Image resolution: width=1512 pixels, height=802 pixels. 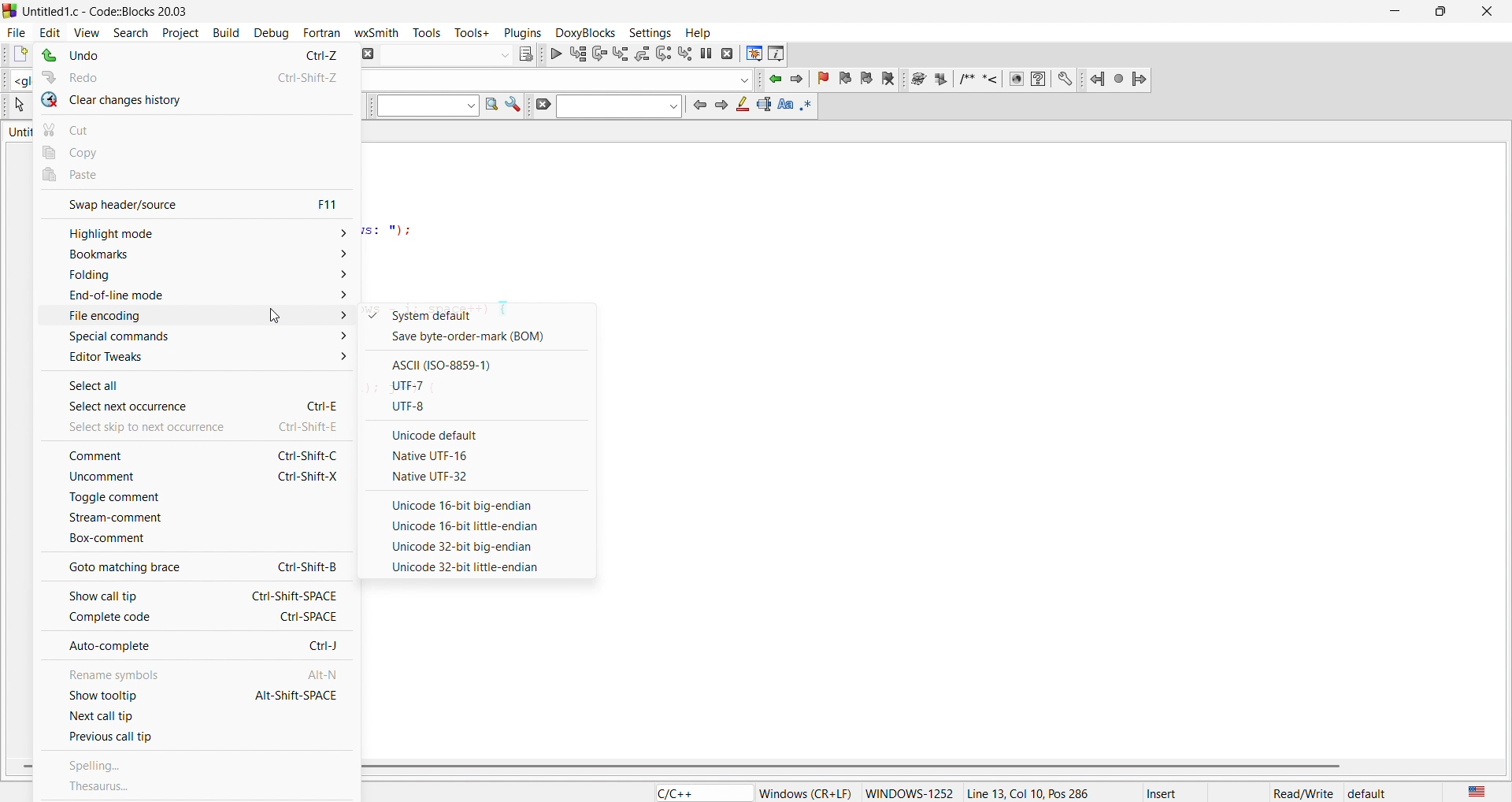 What do you see at coordinates (198, 766) in the screenshot?
I see `spelling ` at bounding box center [198, 766].